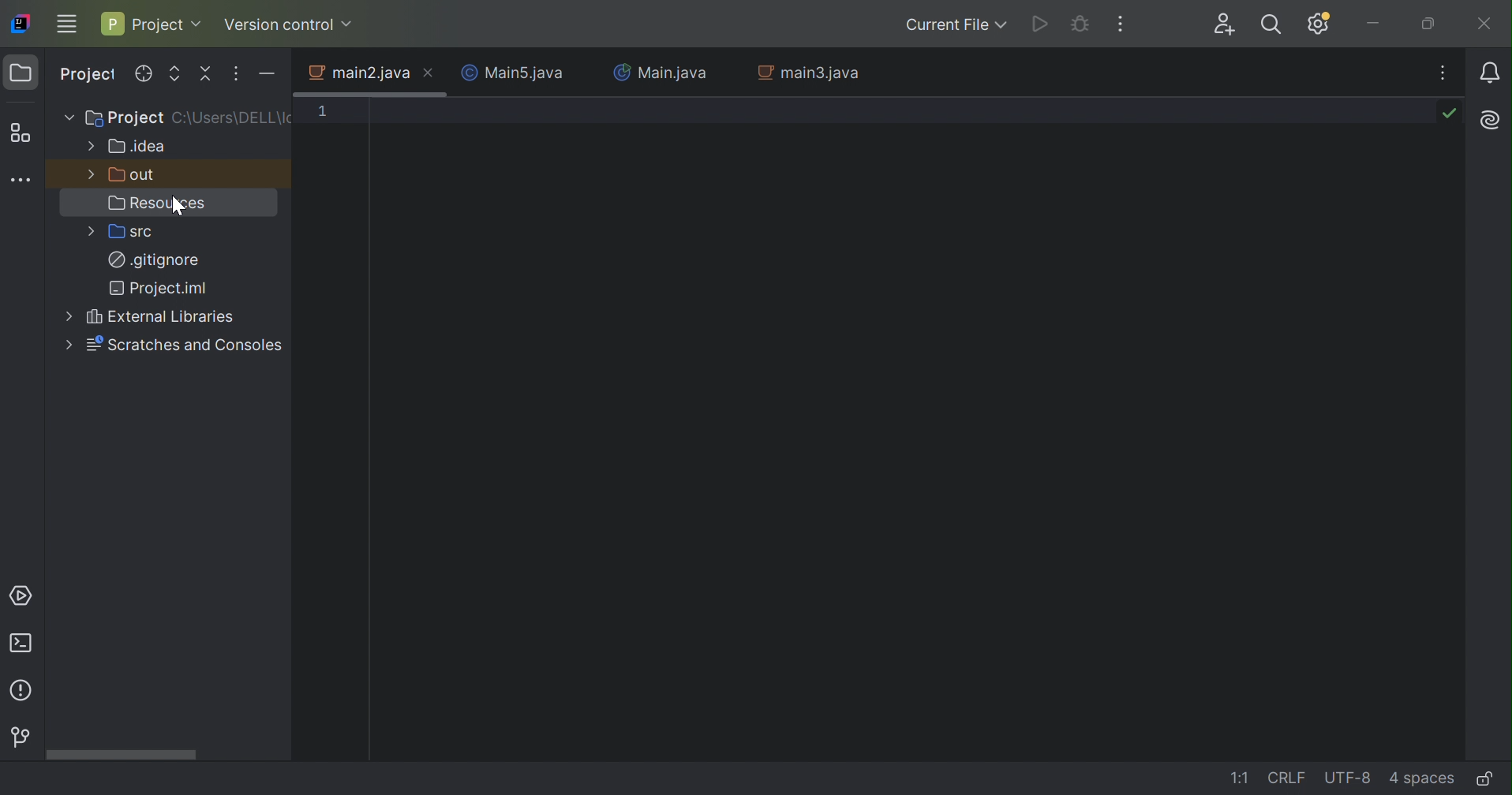 This screenshot has height=795, width=1512. What do you see at coordinates (268, 75) in the screenshot?
I see `Hide` at bounding box center [268, 75].